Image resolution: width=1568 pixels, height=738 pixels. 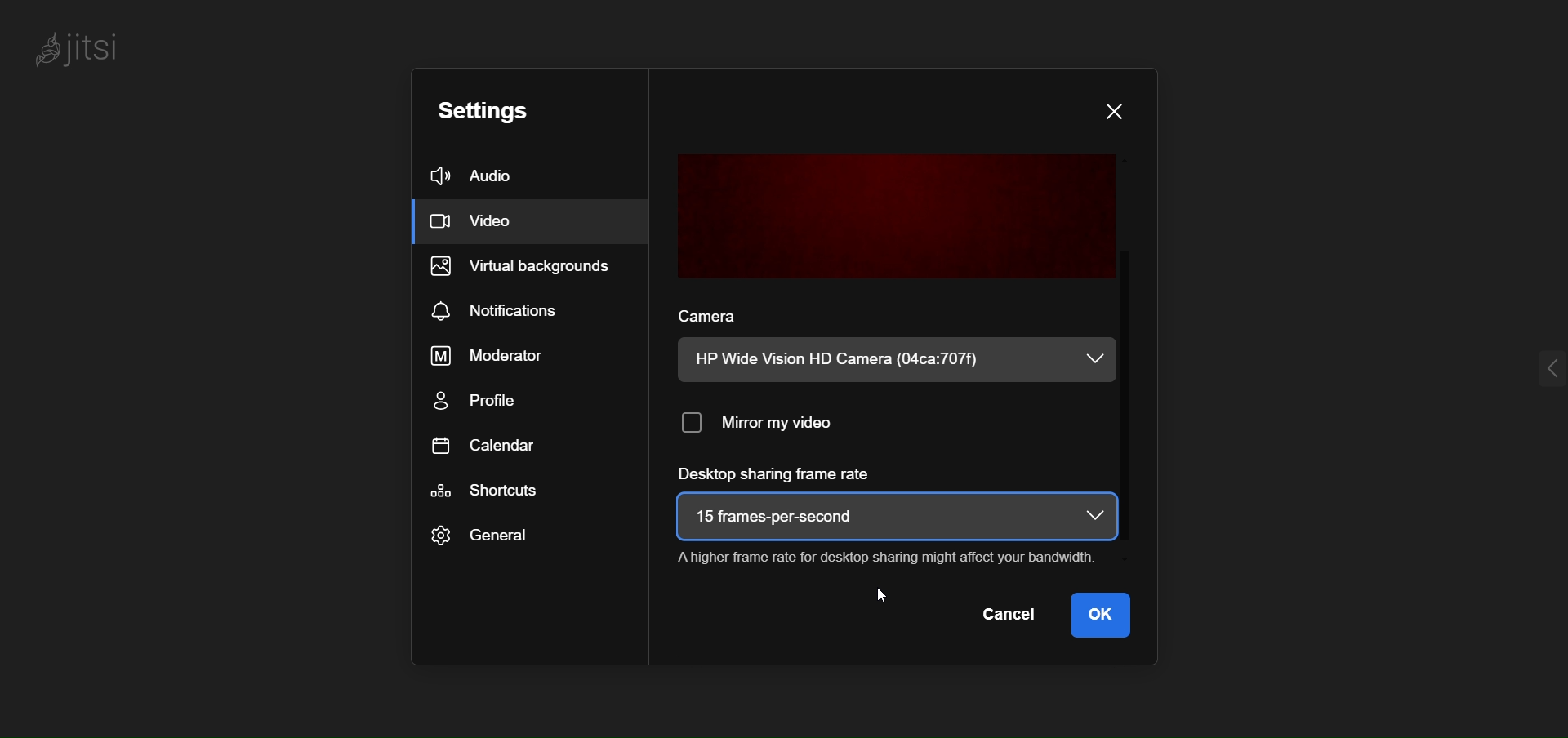 What do you see at coordinates (487, 400) in the screenshot?
I see `profile` at bounding box center [487, 400].